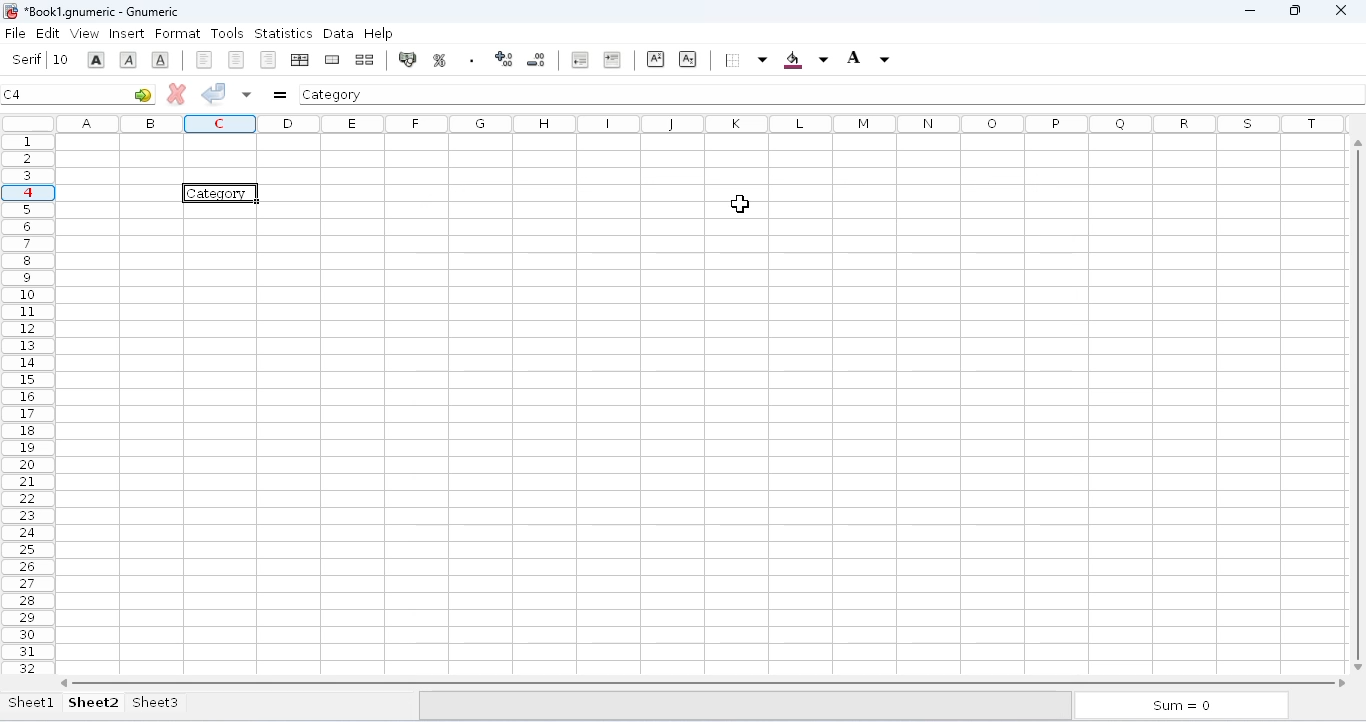  Describe the element at coordinates (1295, 11) in the screenshot. I see `maximize` at that location.